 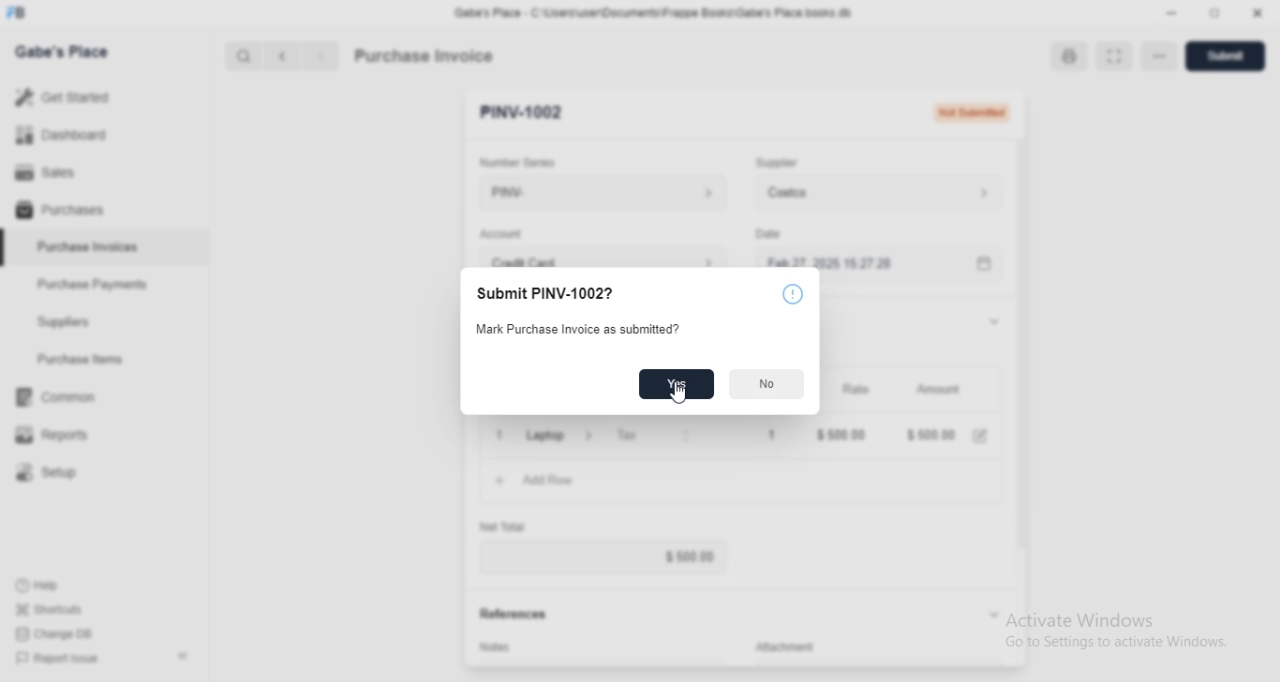 What do you see at coordinates (879, 193) in the screenshot?
I see `Costco` at bounding box center [879, 193].